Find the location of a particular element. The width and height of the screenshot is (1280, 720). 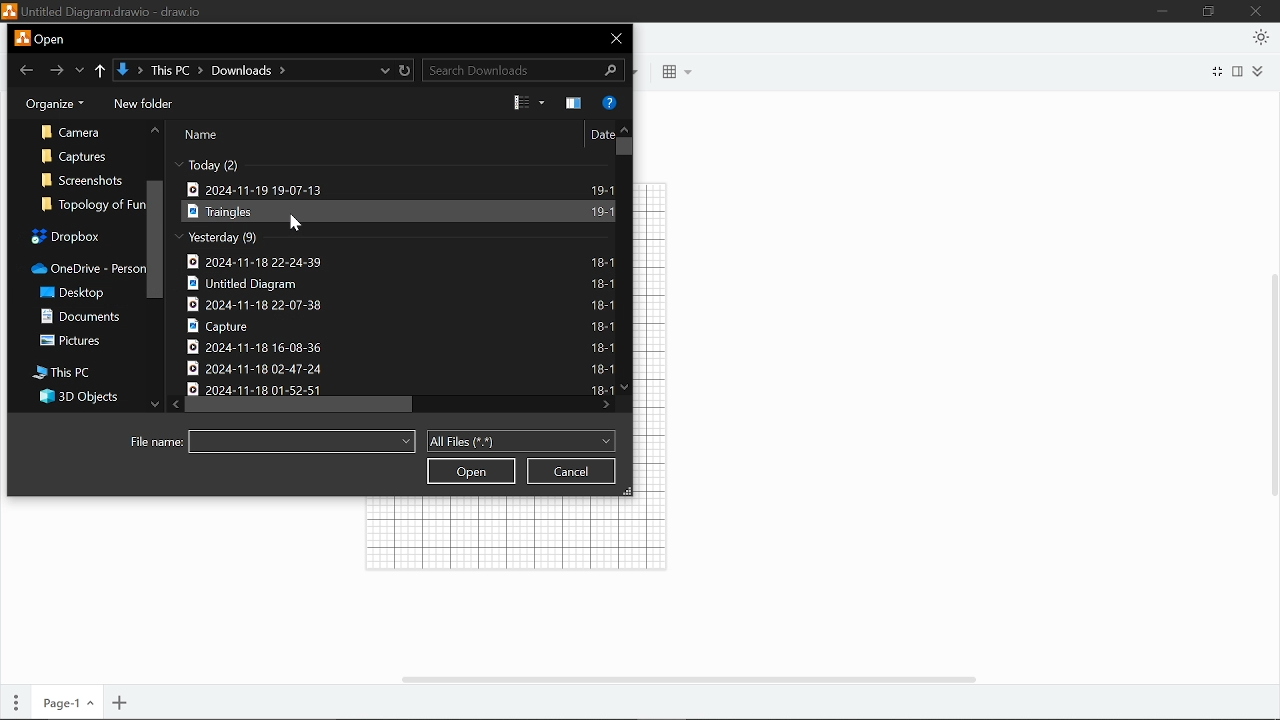

More options is located at coordinates (541, 103).